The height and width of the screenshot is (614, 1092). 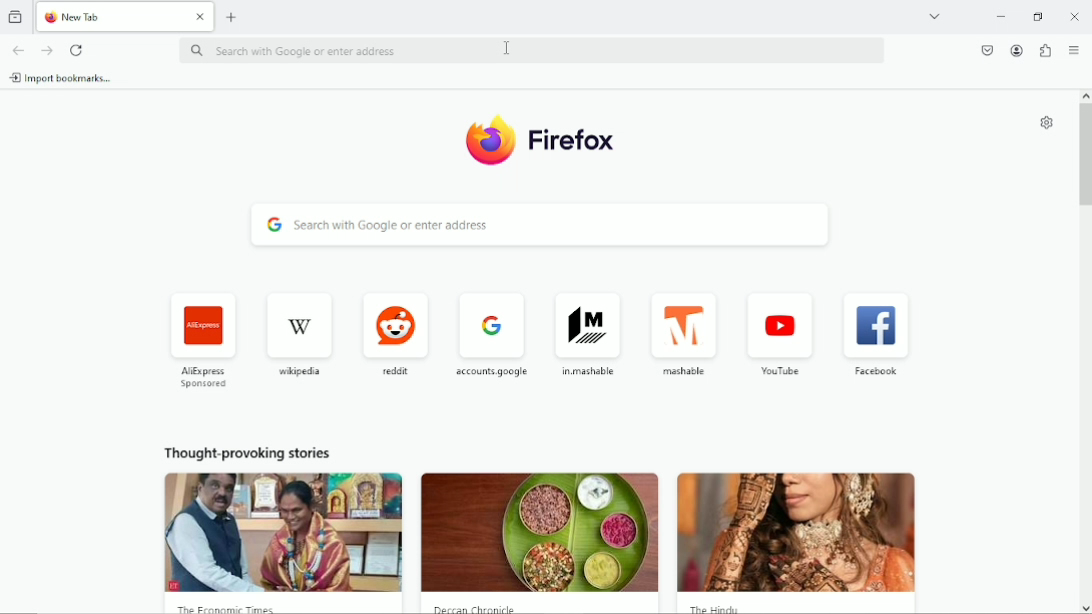 I want to click on minimize, so click(x=1000, y=17).